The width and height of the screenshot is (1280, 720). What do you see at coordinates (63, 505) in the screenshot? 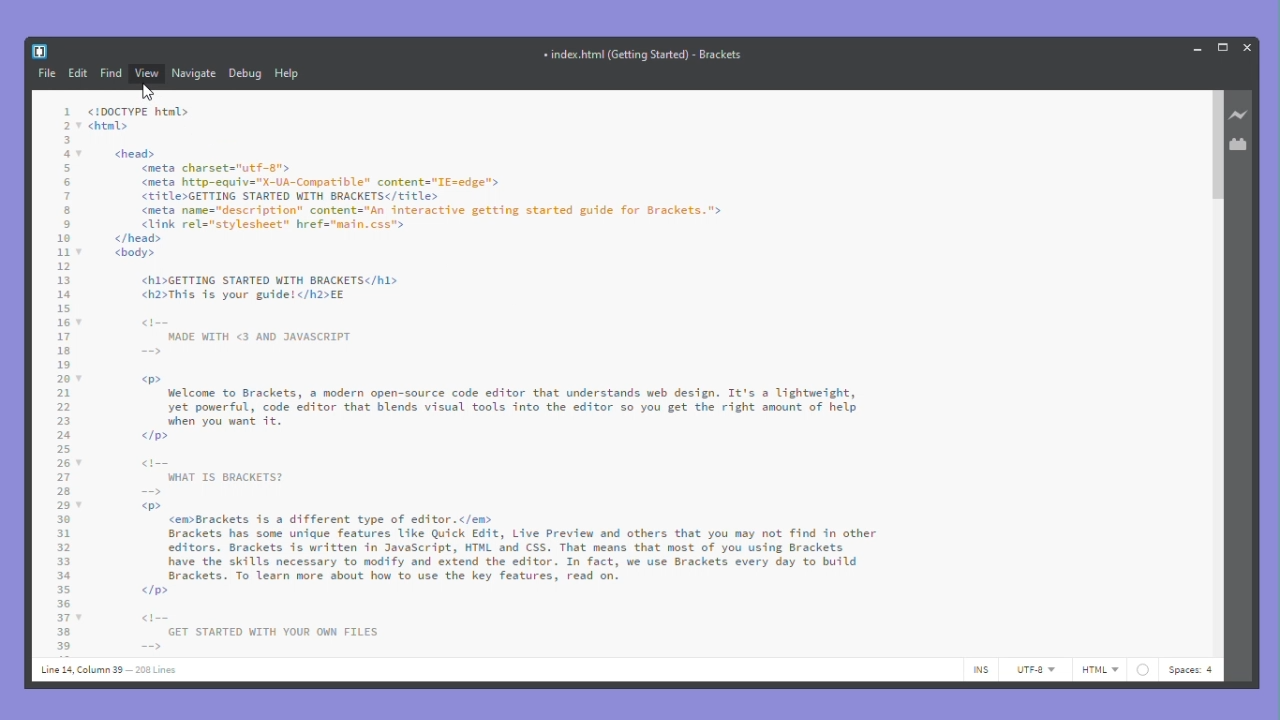
I see `29` at bounding box center [63, 505].